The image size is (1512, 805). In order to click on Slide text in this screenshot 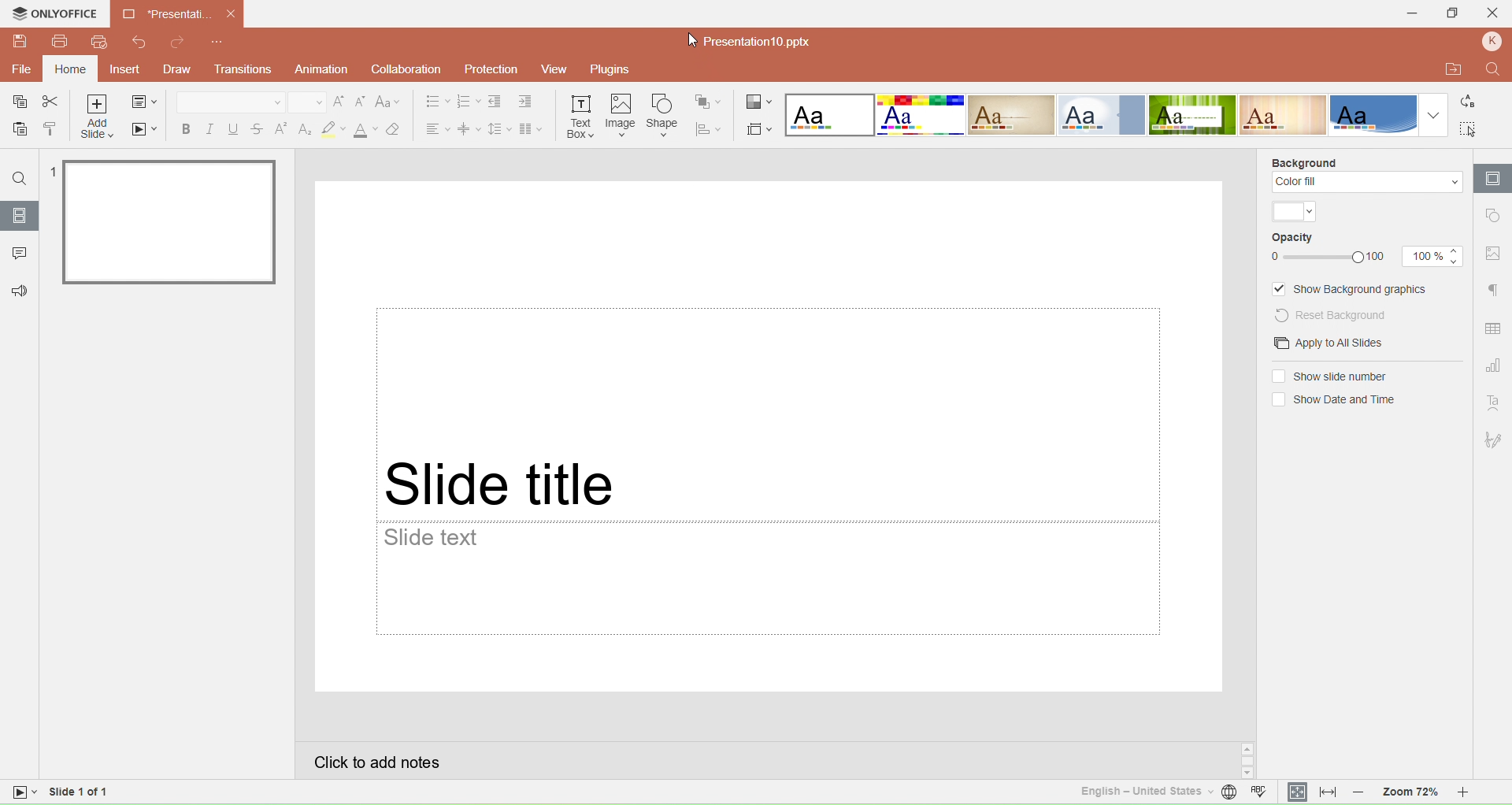, I will do `click(769, 579)`.